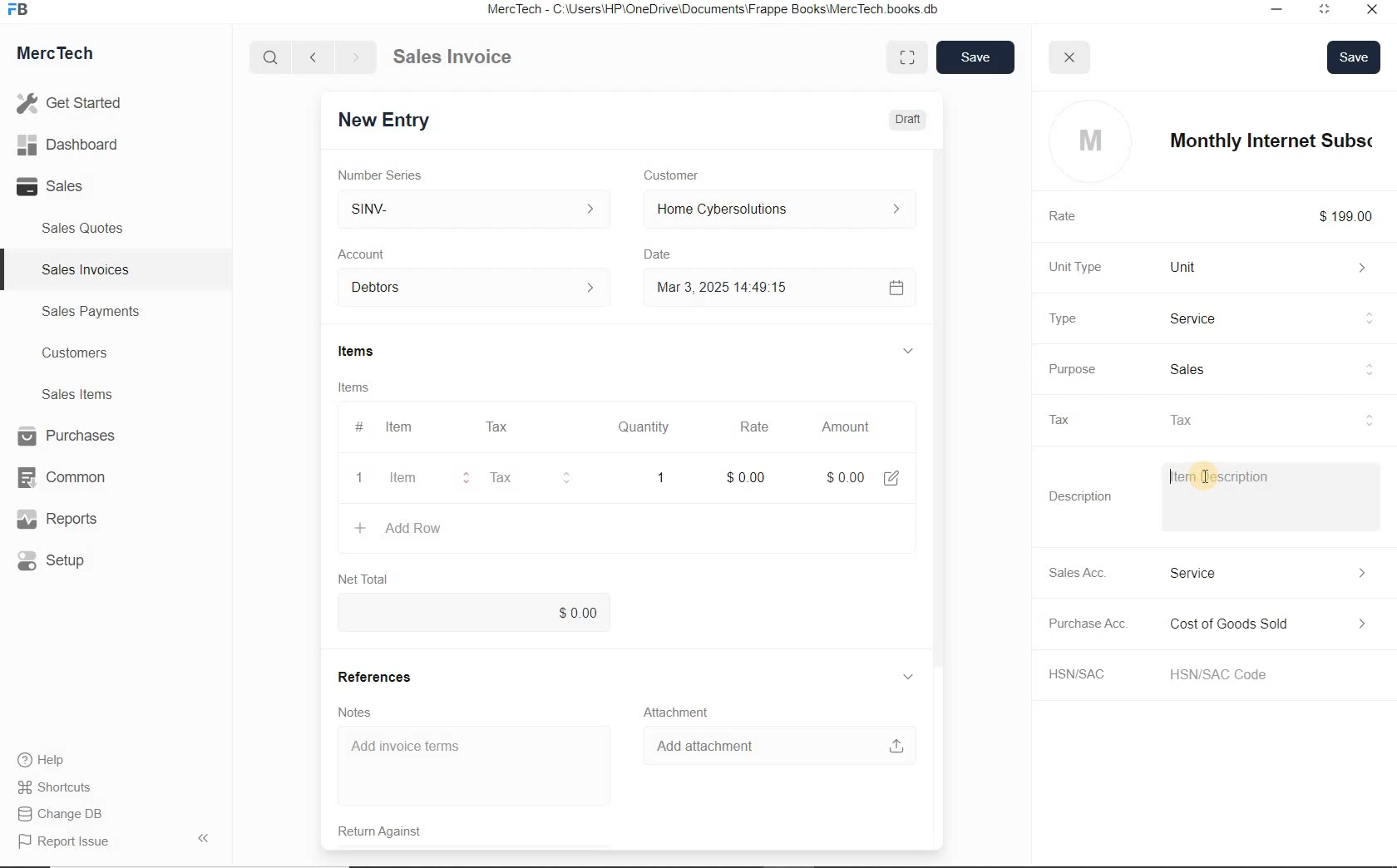 Image resolution: width=1397 pixels, height=868 pixels. What do you see at coordinates (1359, 12) in the screenshot?
I see `Close` at bounding box center [1359, 12].